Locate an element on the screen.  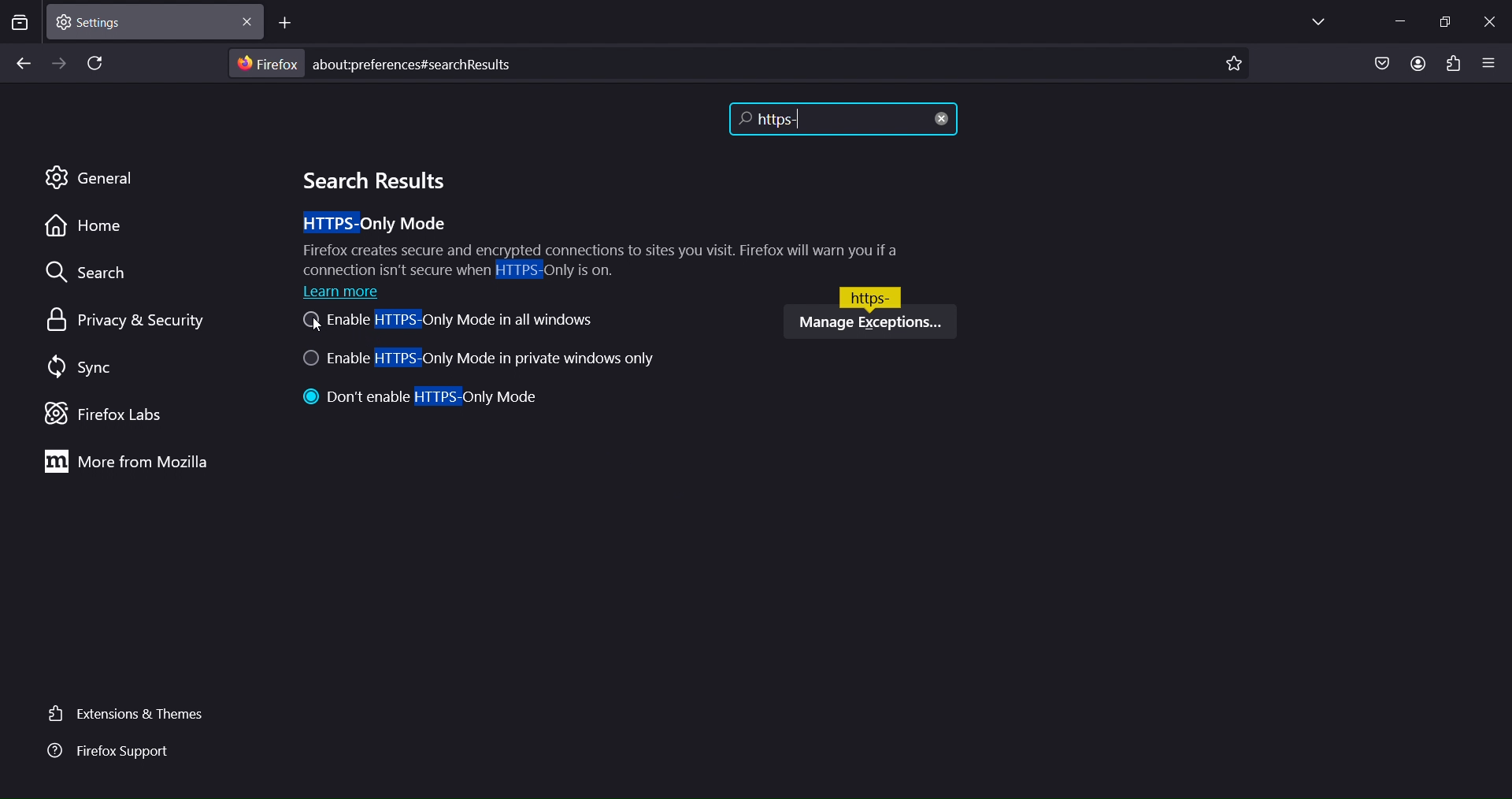
search results is located at coordinates (371, 180).